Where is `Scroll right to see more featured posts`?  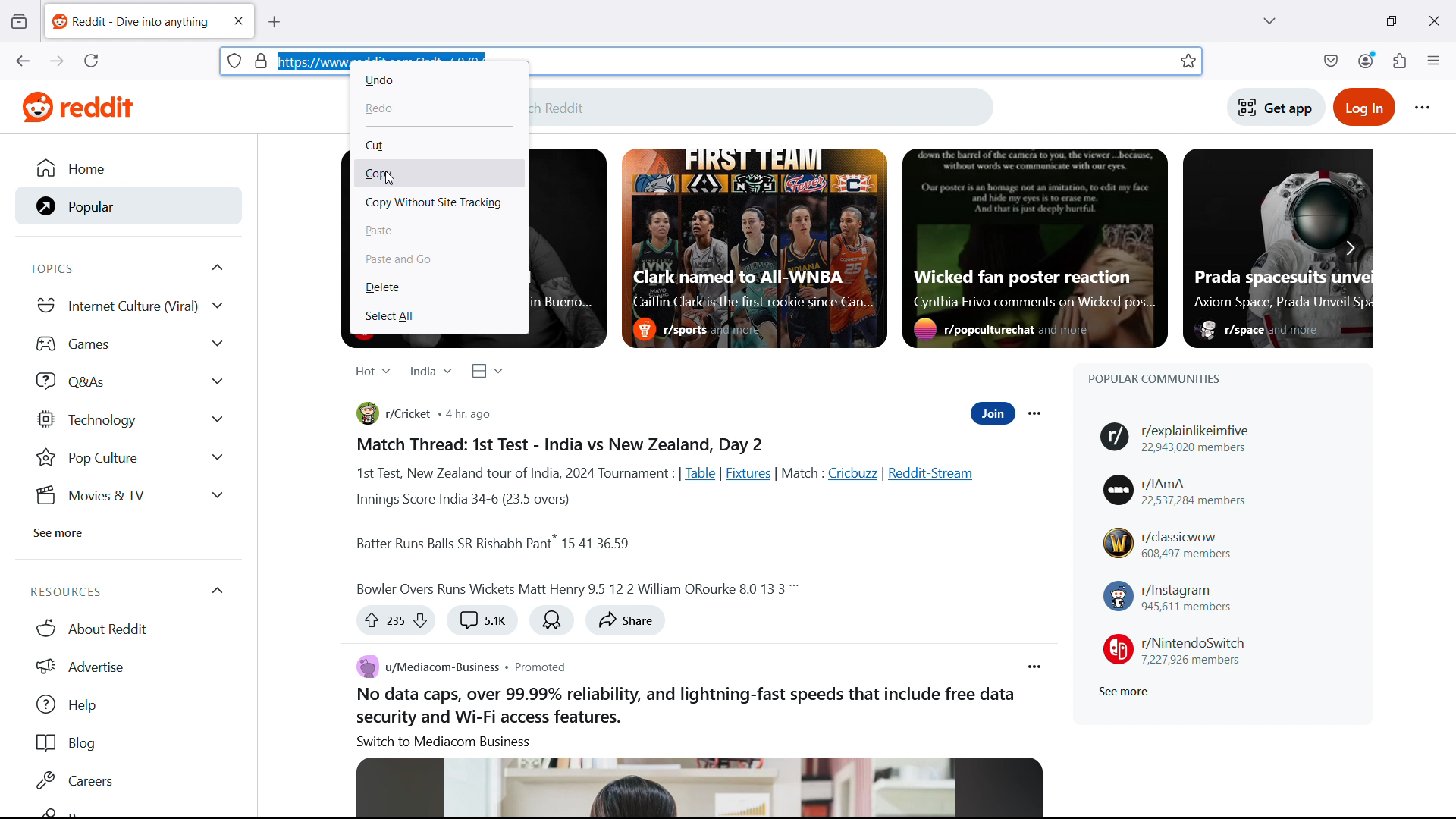
Scroll right to see more featured posts is located at coordinates (1350, 246).